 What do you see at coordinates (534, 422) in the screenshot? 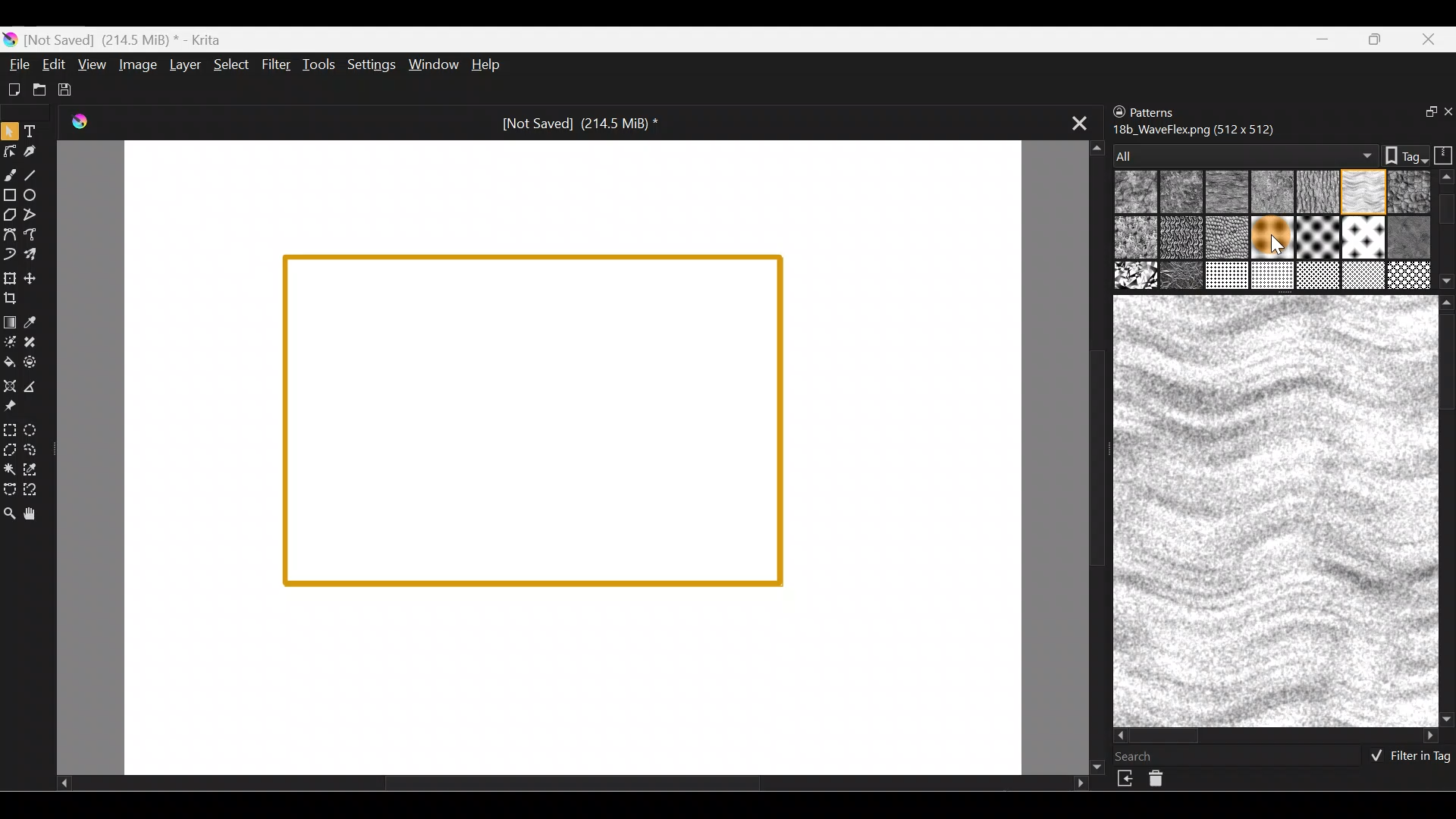
I see `Rectangle shape on Canvas` at bounding box center [534, 422].